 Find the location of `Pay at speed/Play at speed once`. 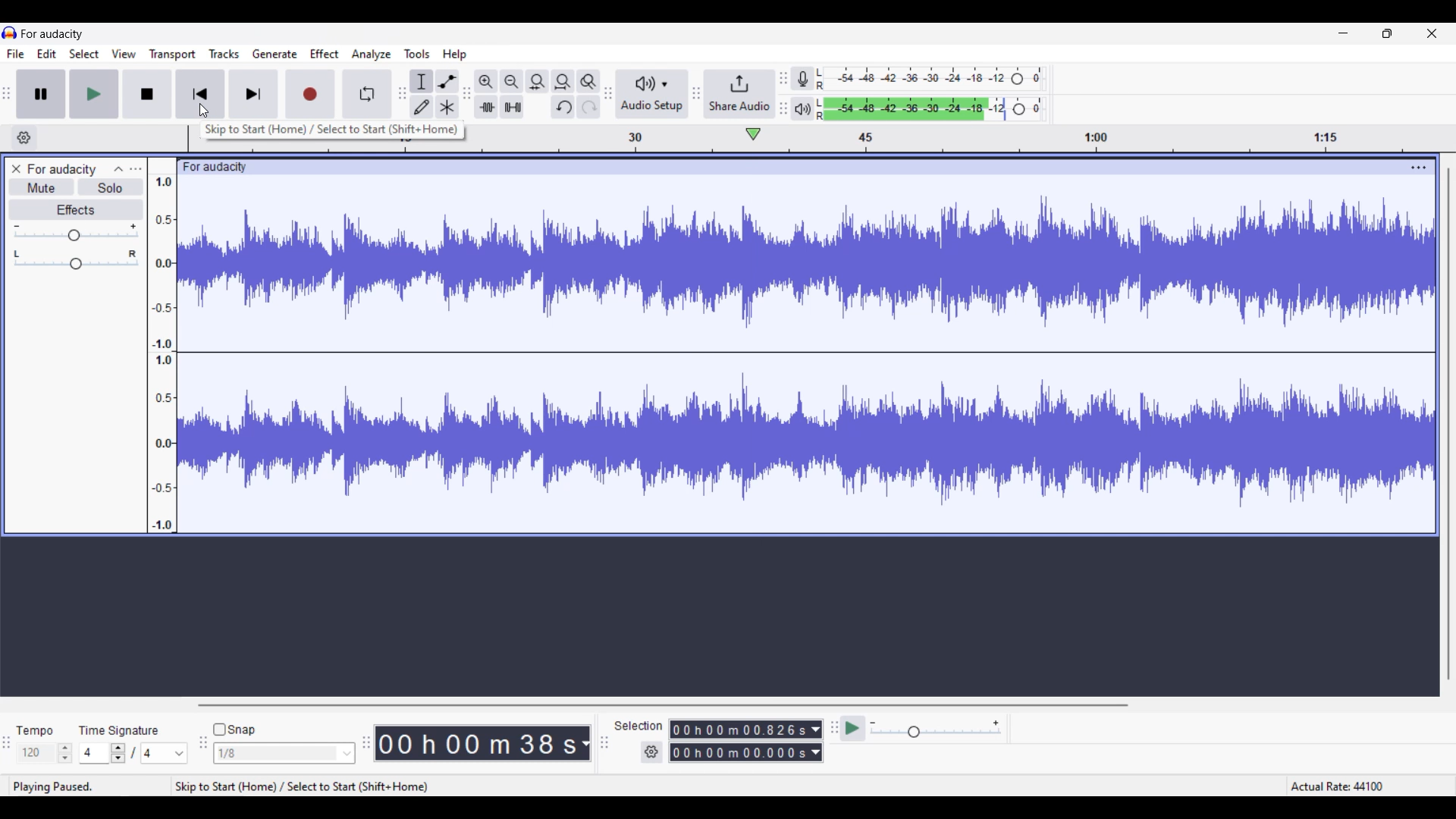

Pay at speed/Play at speed once is located at coordinates (852, 729).